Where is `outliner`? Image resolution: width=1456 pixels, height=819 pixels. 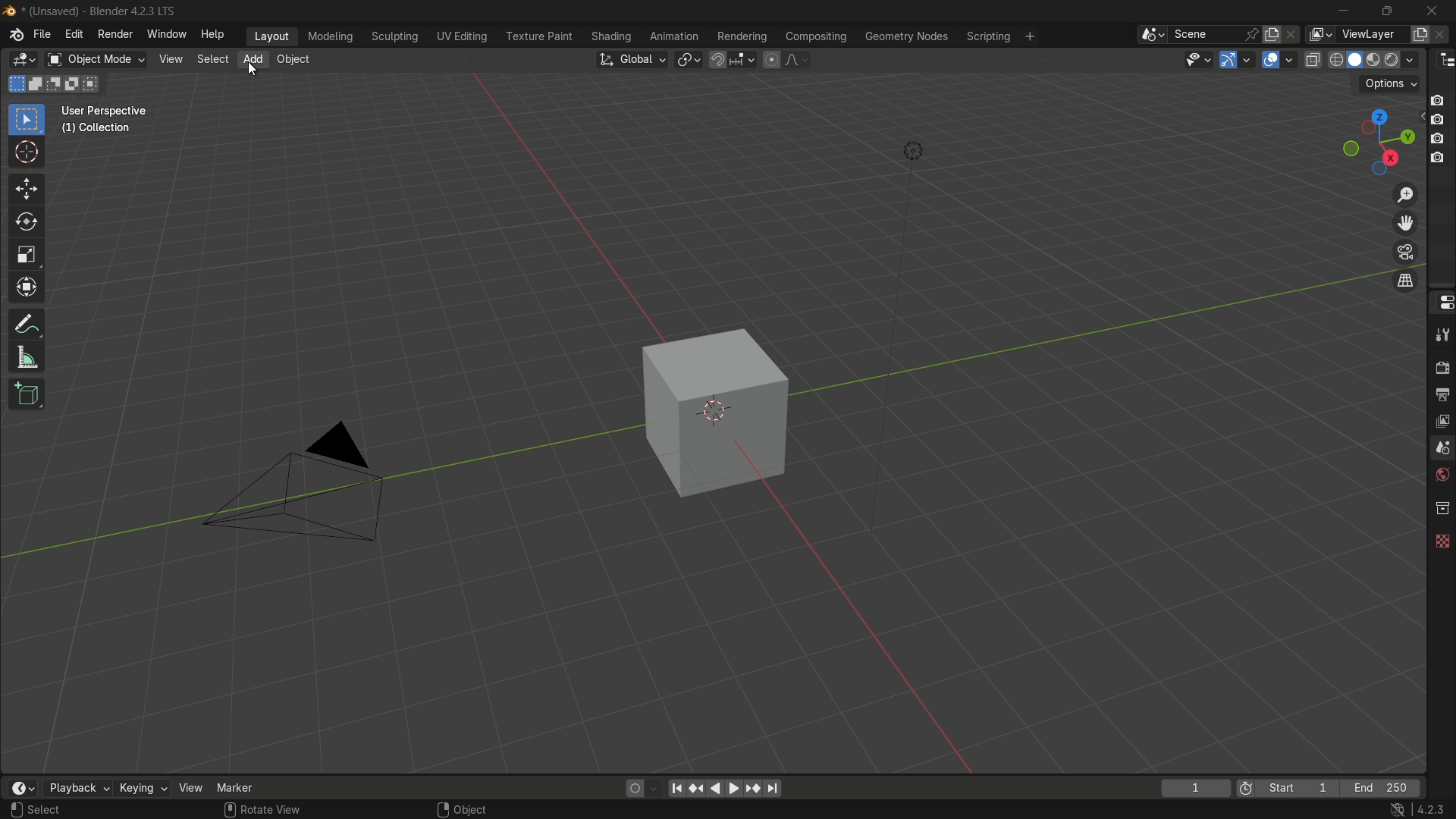 outliner is located at coordinates (1443, 60).